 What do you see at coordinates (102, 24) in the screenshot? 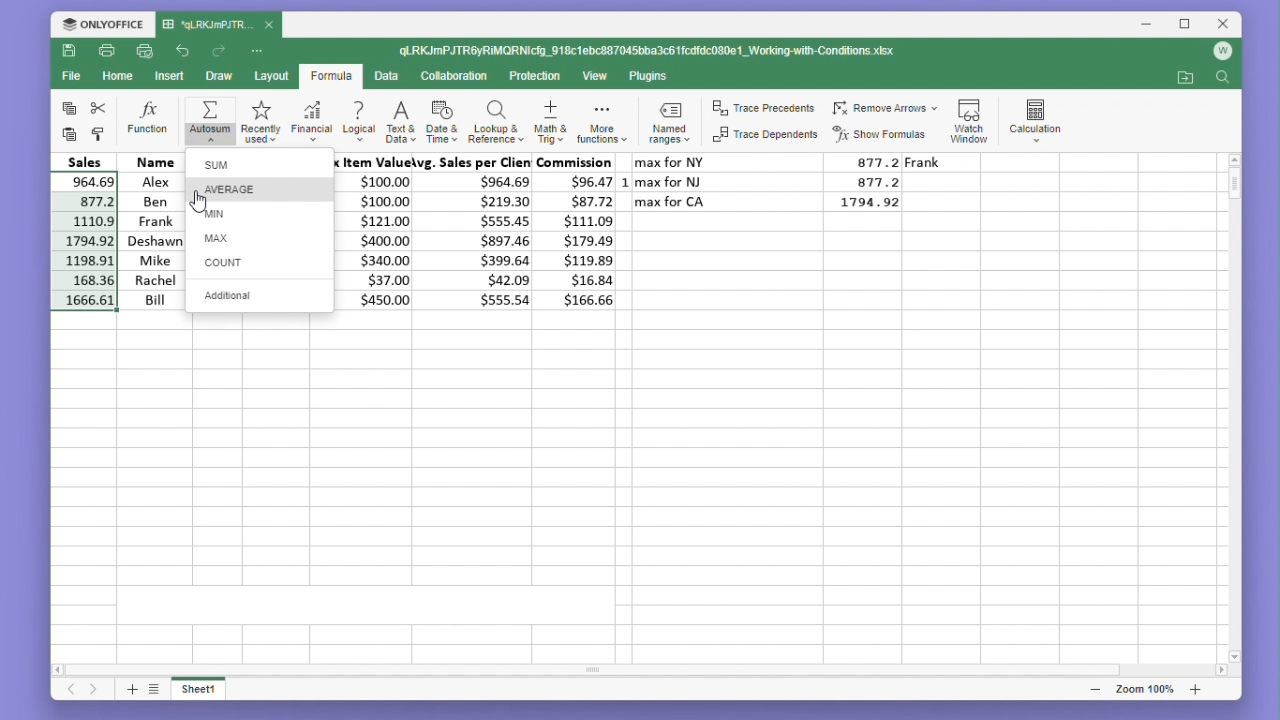
I see `Onlyoffice` at bounding box center [102, 24].